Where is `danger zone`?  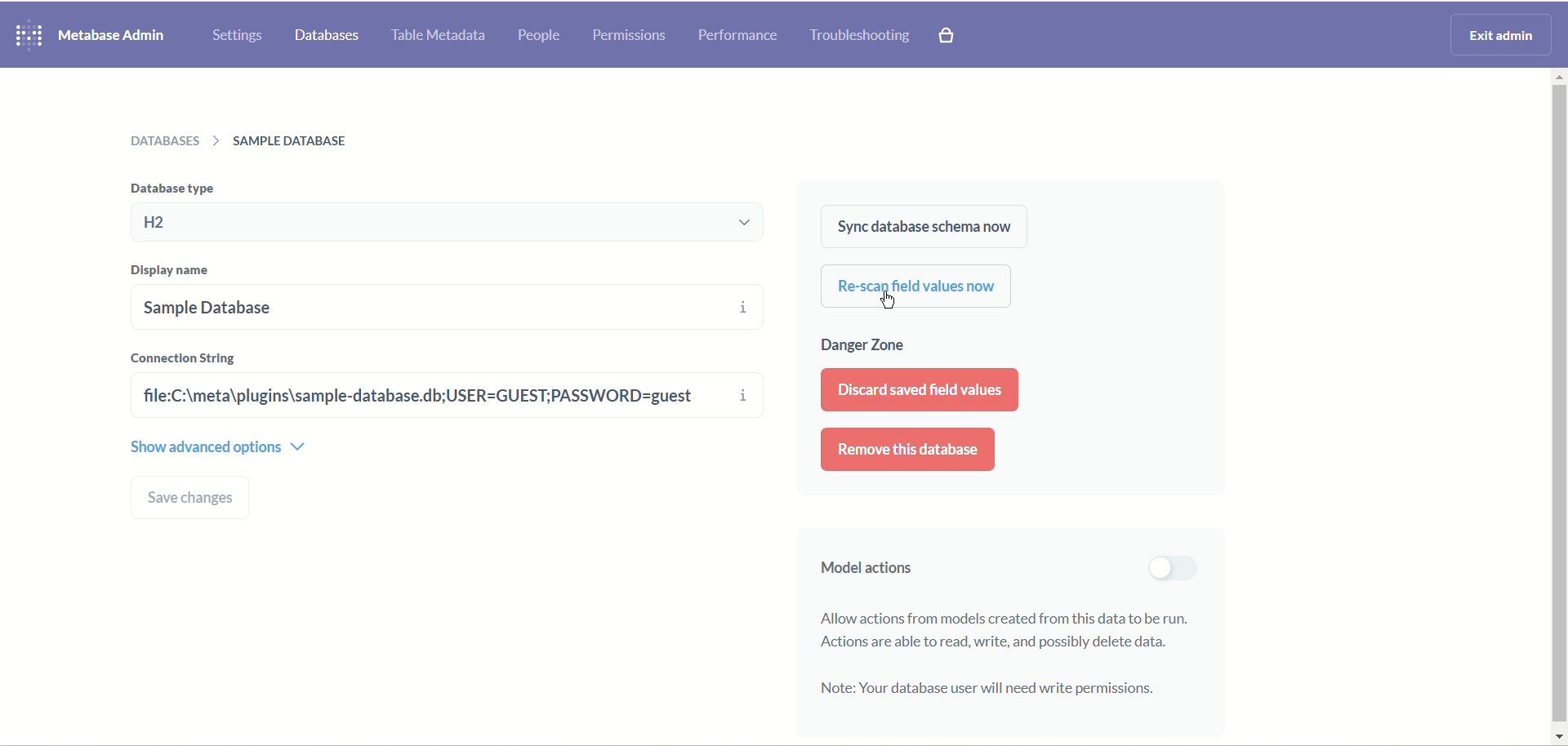 danger zone is located at coordinates (864, 347).